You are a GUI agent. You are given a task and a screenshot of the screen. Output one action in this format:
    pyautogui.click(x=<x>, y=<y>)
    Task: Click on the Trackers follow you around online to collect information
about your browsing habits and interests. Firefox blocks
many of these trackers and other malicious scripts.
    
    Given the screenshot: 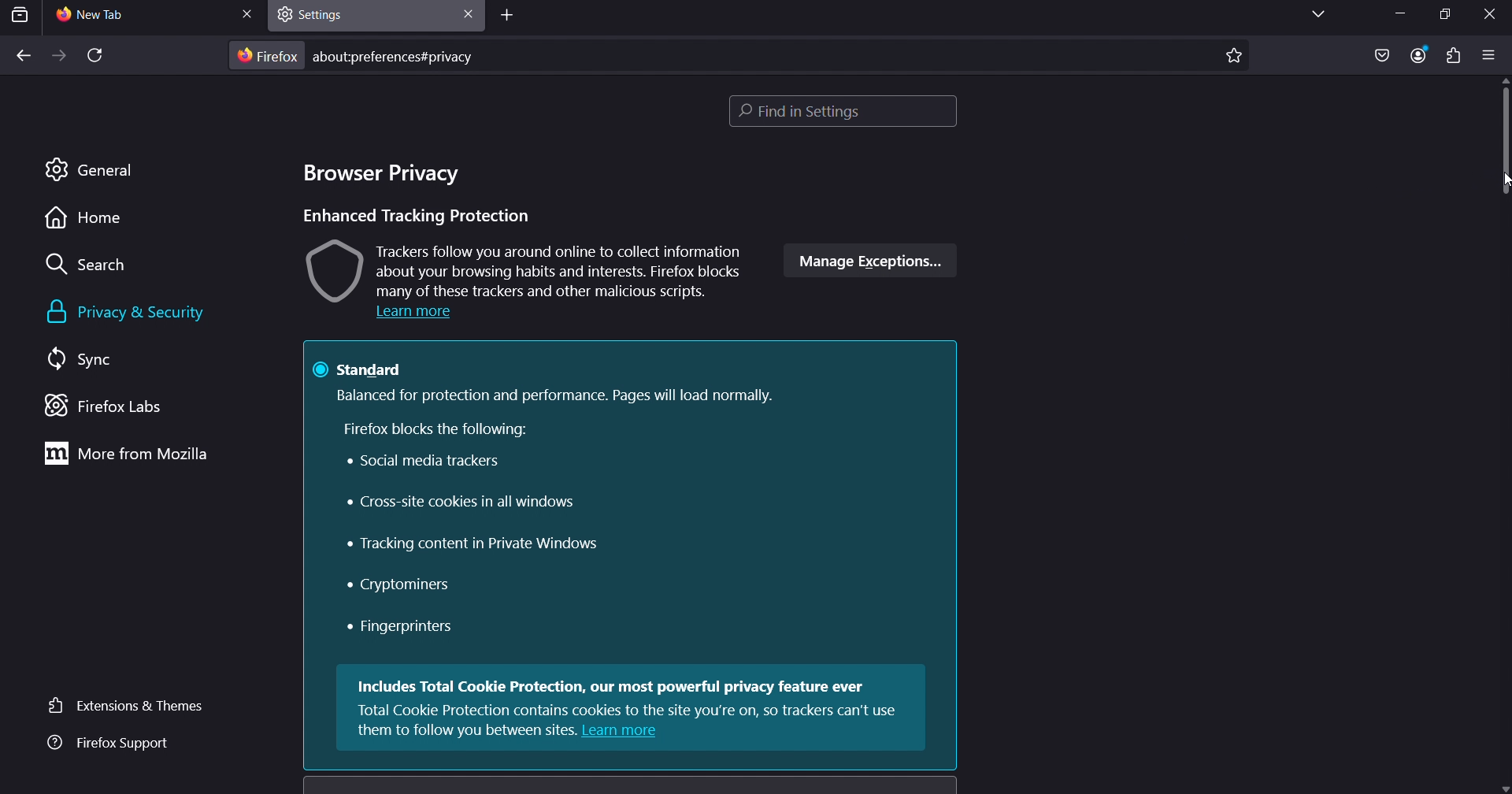 What is the action you would take?
    pyautogui.click(x=564, y=270)
    